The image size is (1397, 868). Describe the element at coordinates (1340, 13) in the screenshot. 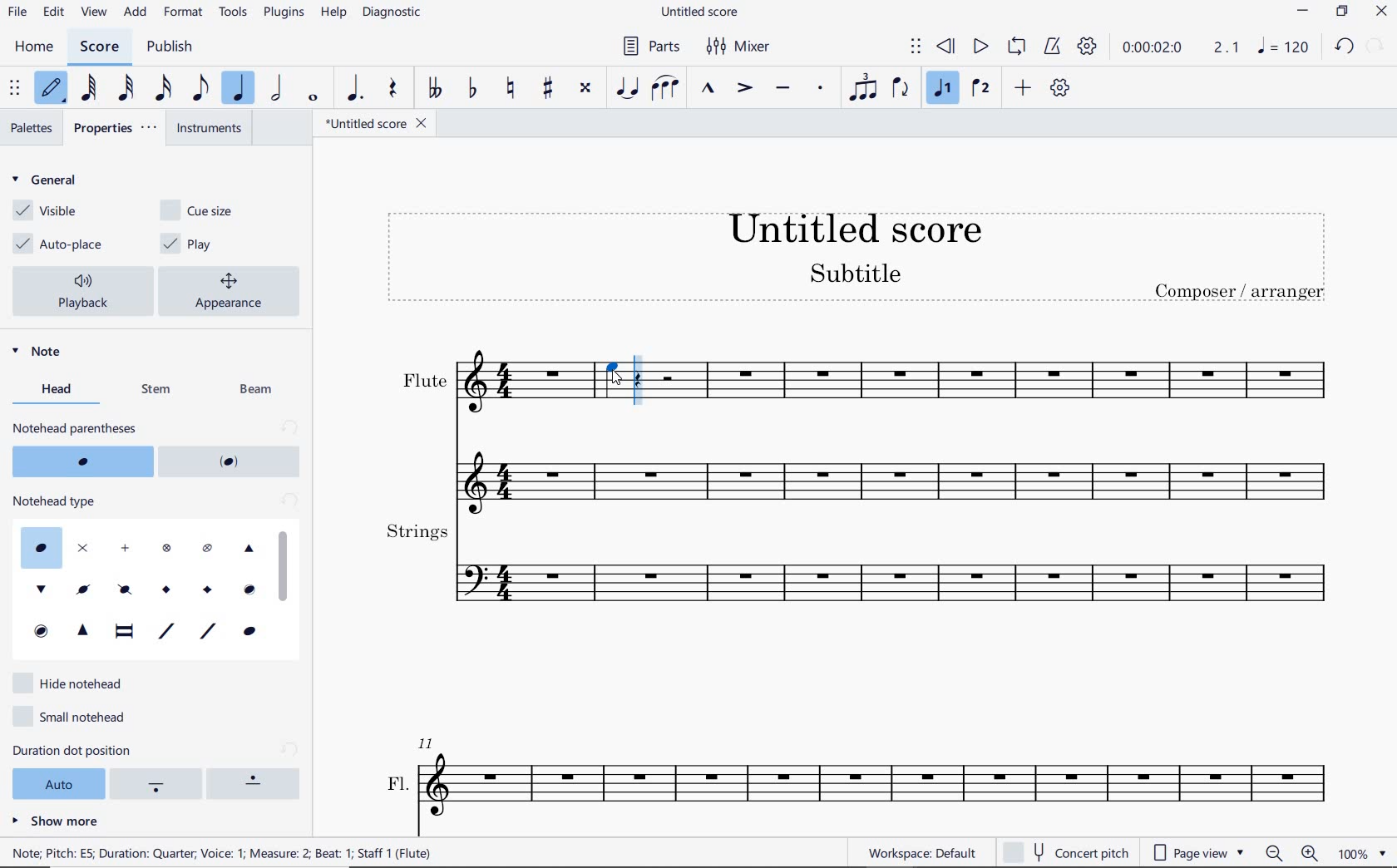

I see `restore down` at that location.